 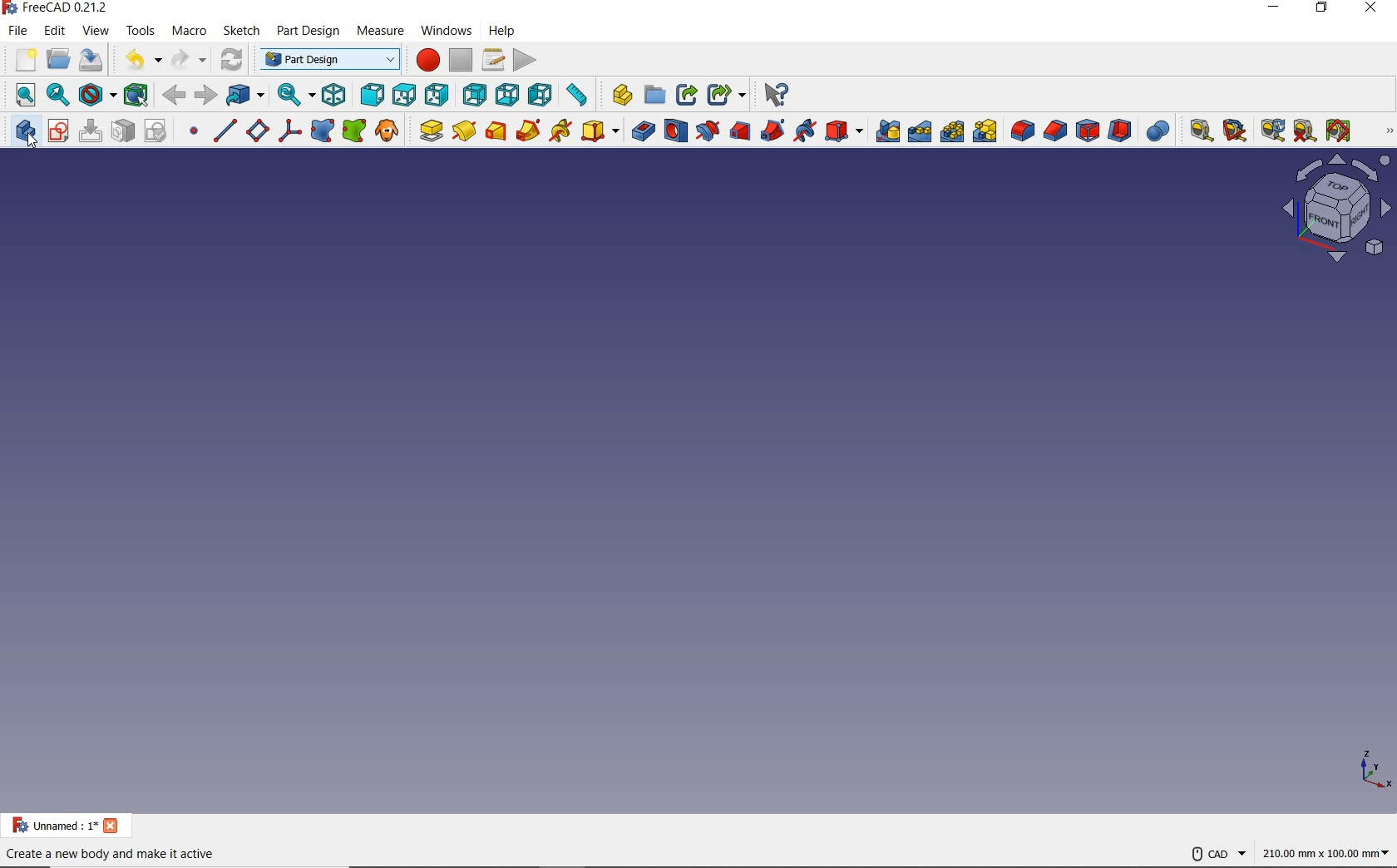 What do you see at coordinates (124, 130) in the screenshot?
I see `MAP SKETCH TO FACE` at bounding box center [124, 130].